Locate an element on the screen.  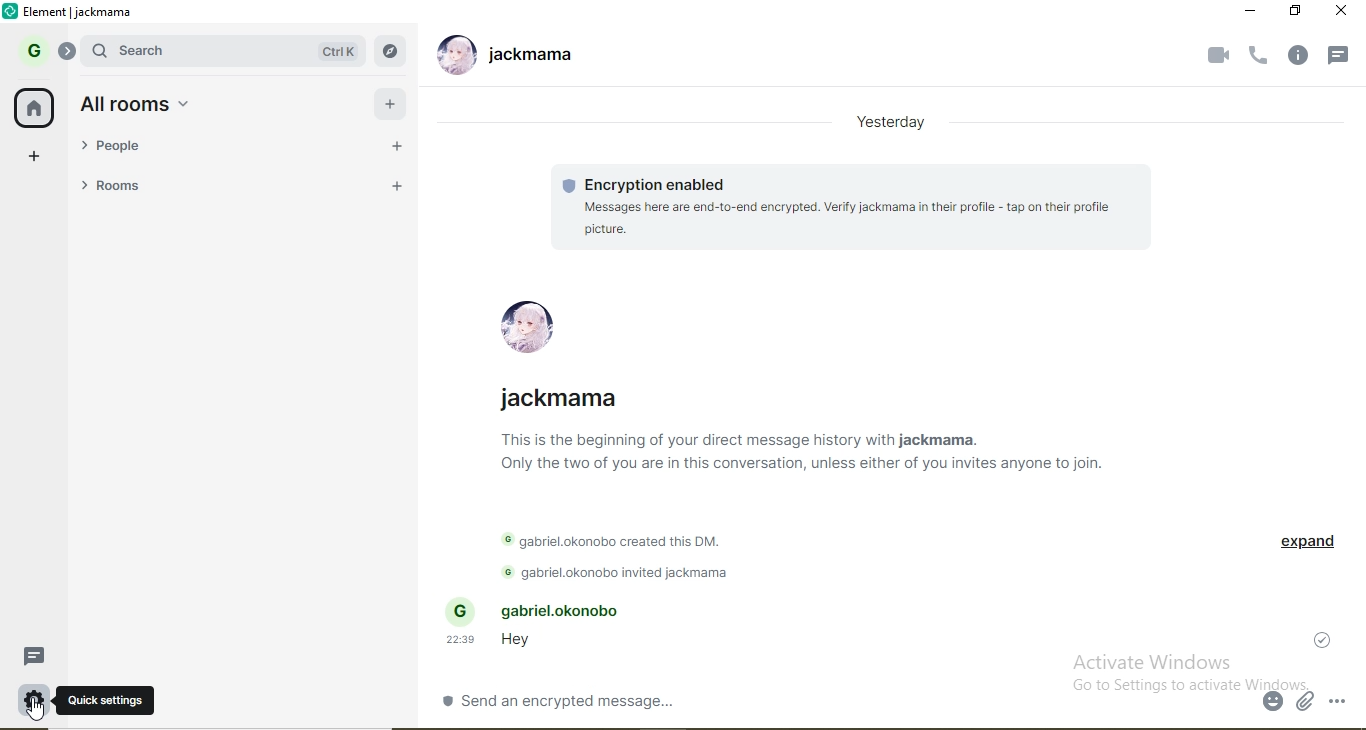
profile picture is located at coordinates (452, 57).